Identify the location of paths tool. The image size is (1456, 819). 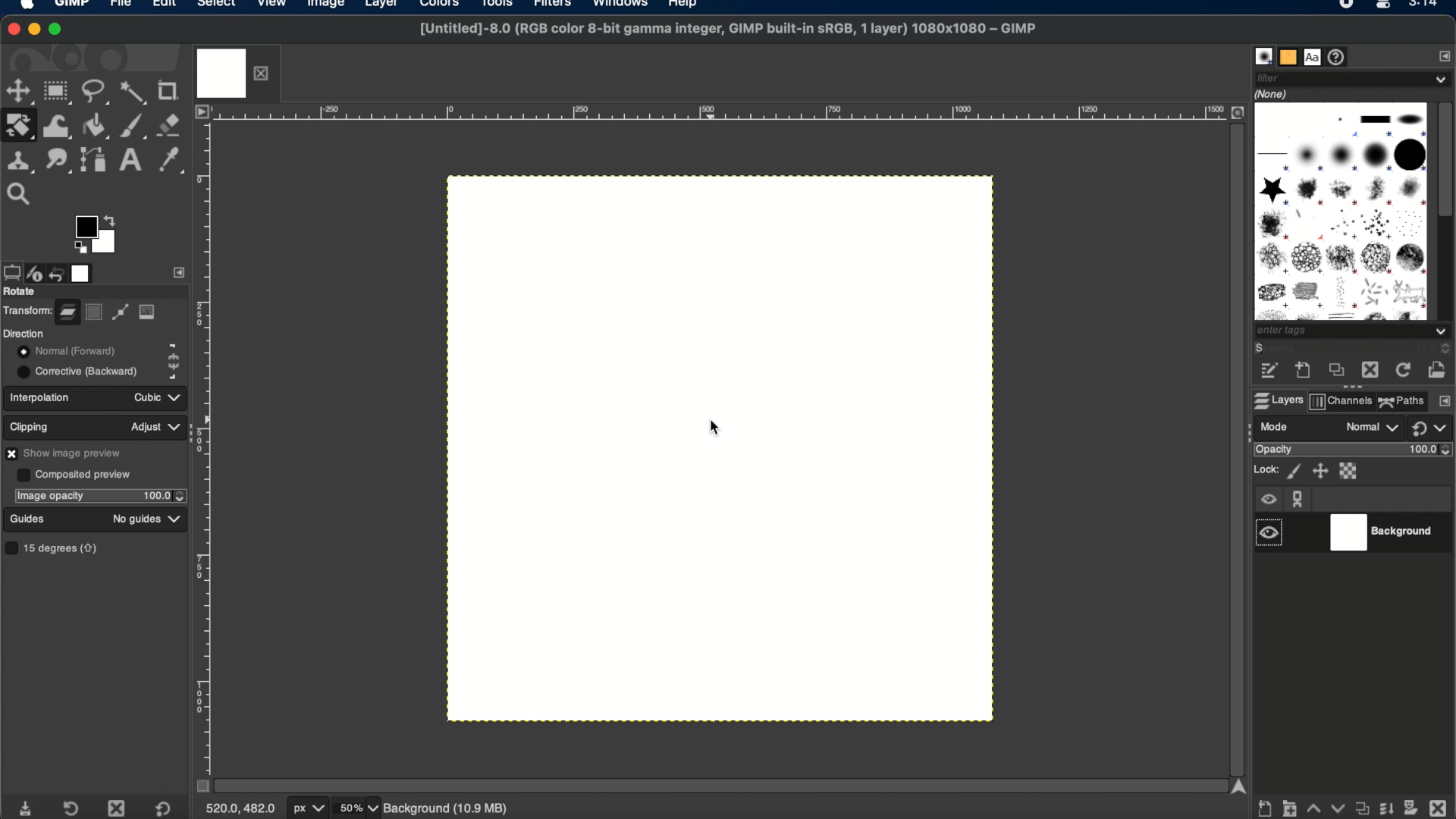
(93, 158).